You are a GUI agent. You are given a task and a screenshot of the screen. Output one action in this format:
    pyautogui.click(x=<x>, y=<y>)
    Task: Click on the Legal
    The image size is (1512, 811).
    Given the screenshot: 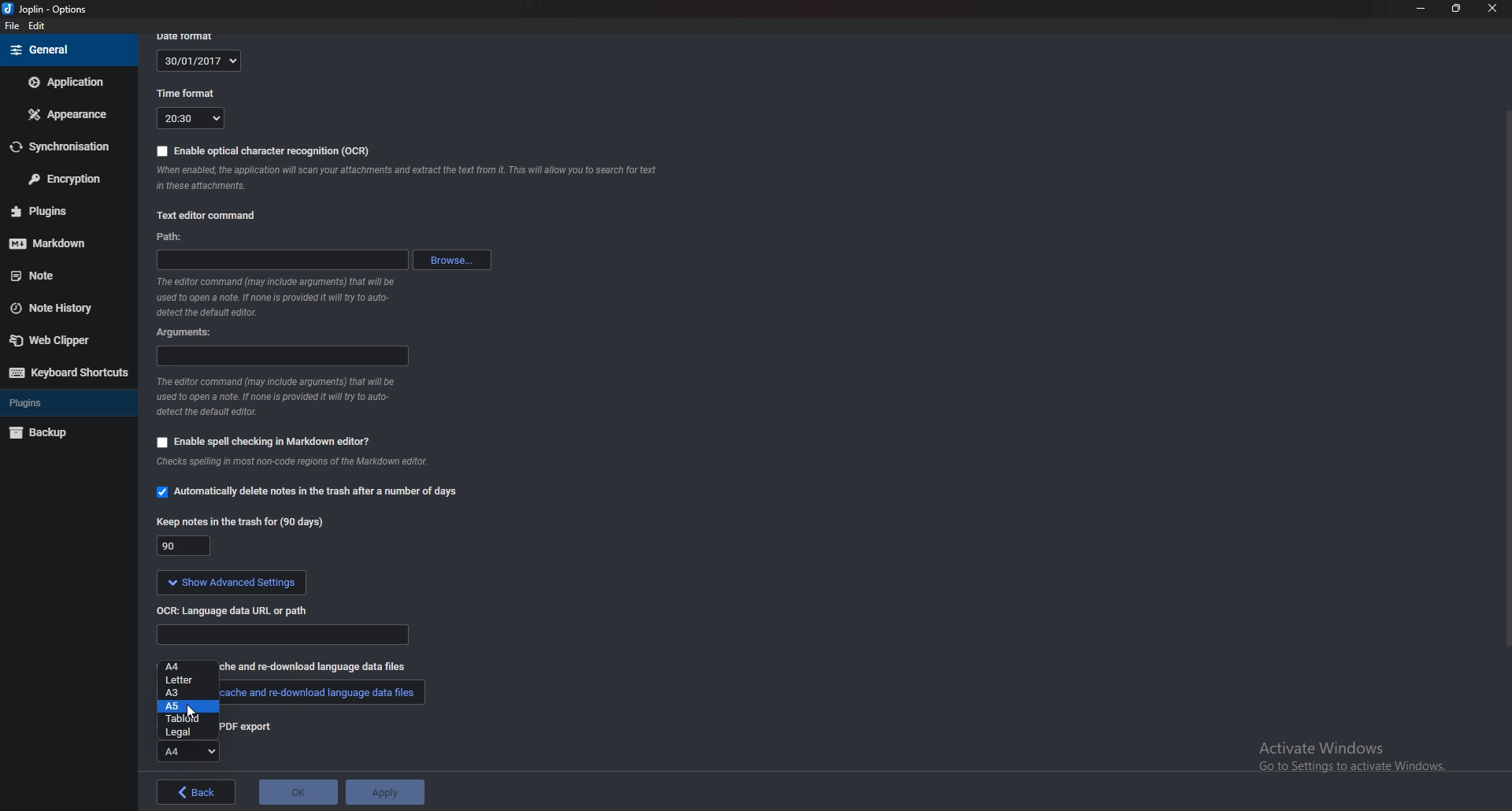 What is the action you would take?
    pyautogui.click(x=188, y=731)
    